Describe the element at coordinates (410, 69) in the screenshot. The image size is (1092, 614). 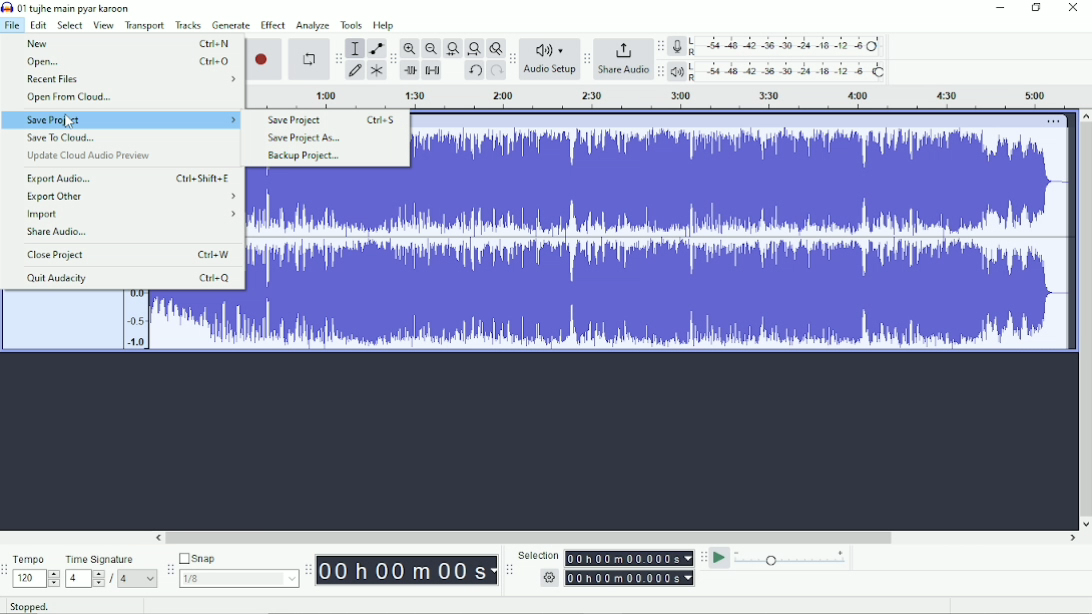
I see `Trim audio outside selection` at that location.